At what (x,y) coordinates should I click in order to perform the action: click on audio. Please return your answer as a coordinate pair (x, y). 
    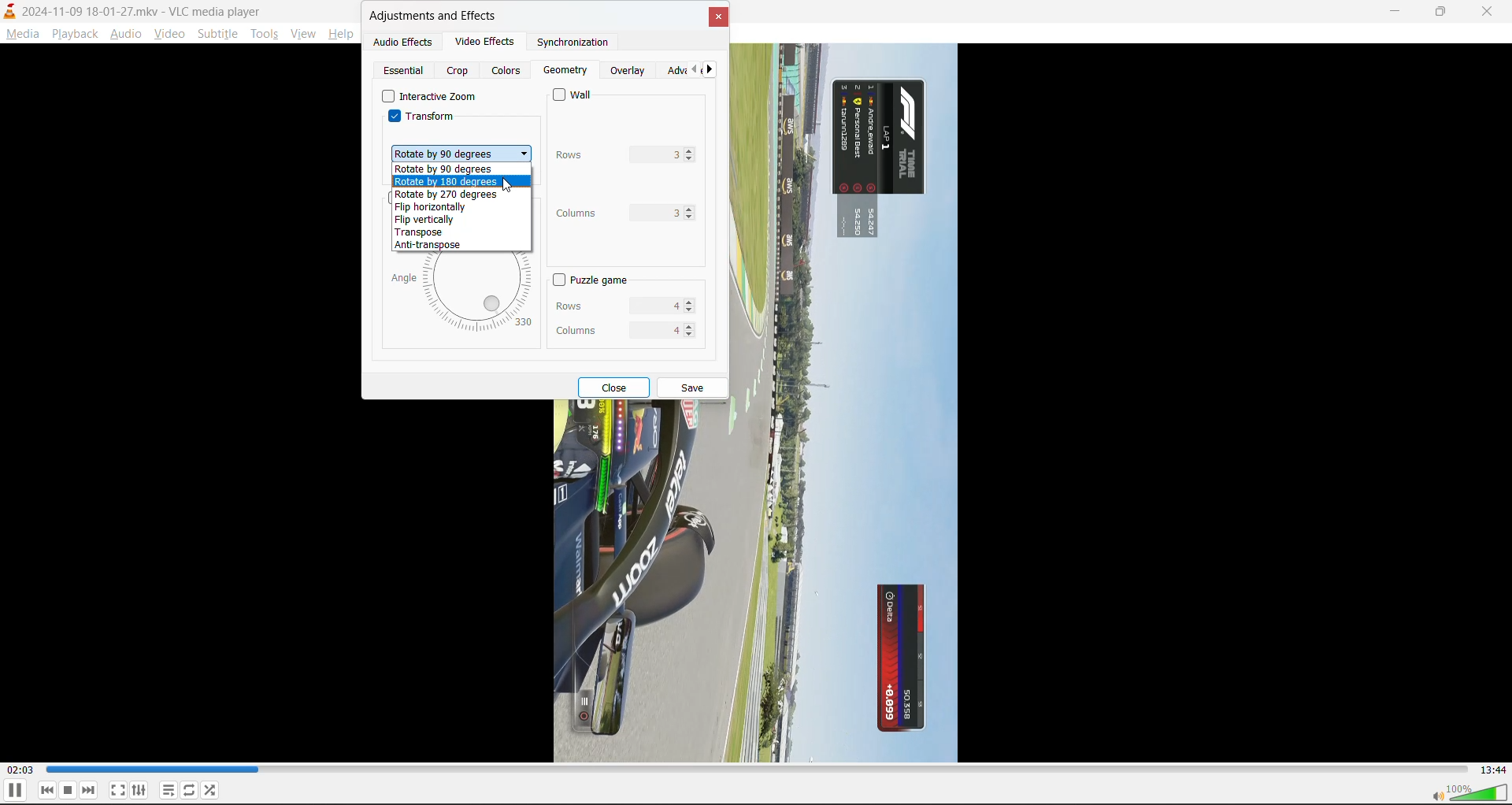
    Looking at the image, I should click on (125, 35).